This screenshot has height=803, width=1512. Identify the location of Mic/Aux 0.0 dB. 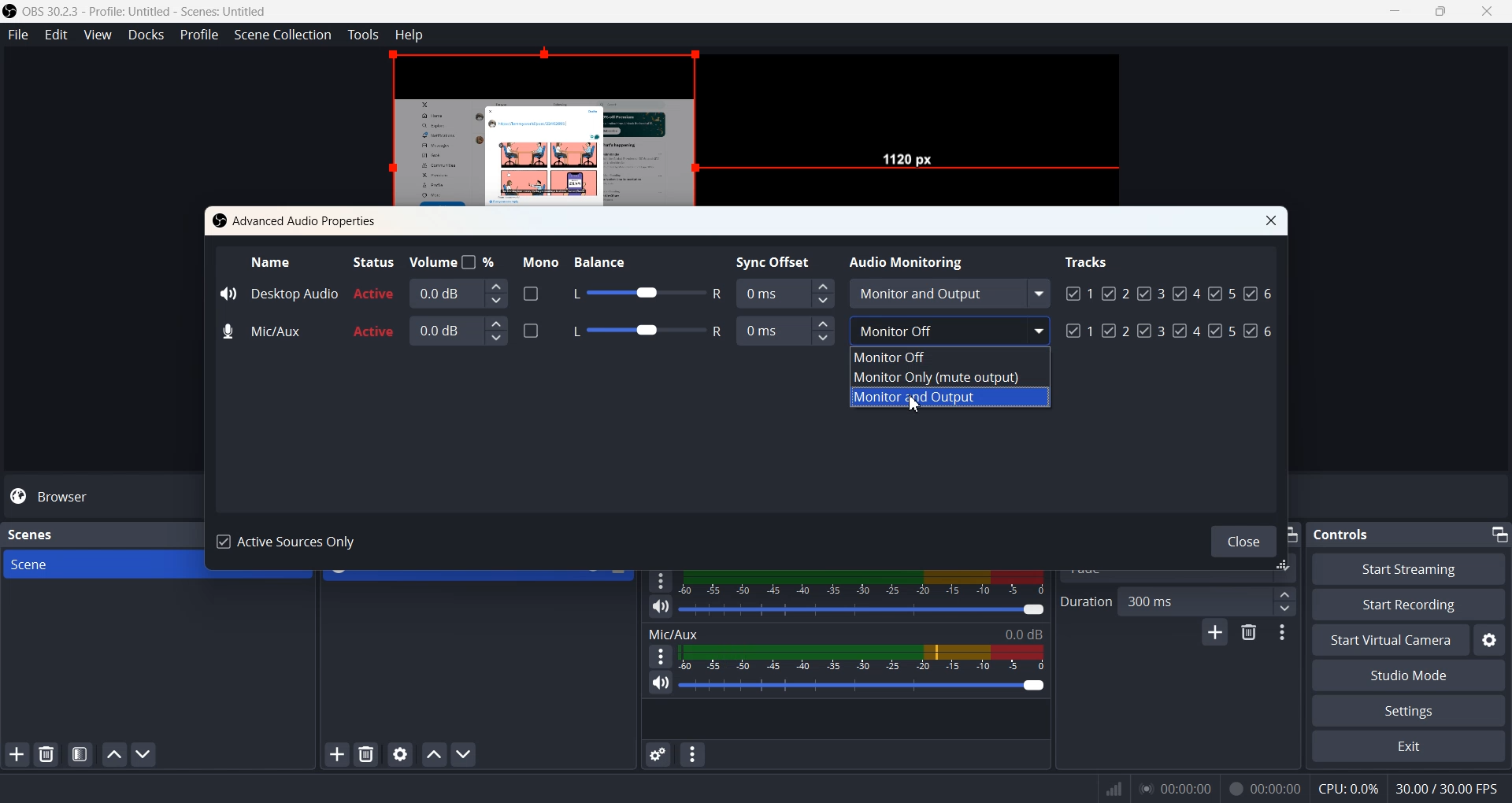
(845, 632).